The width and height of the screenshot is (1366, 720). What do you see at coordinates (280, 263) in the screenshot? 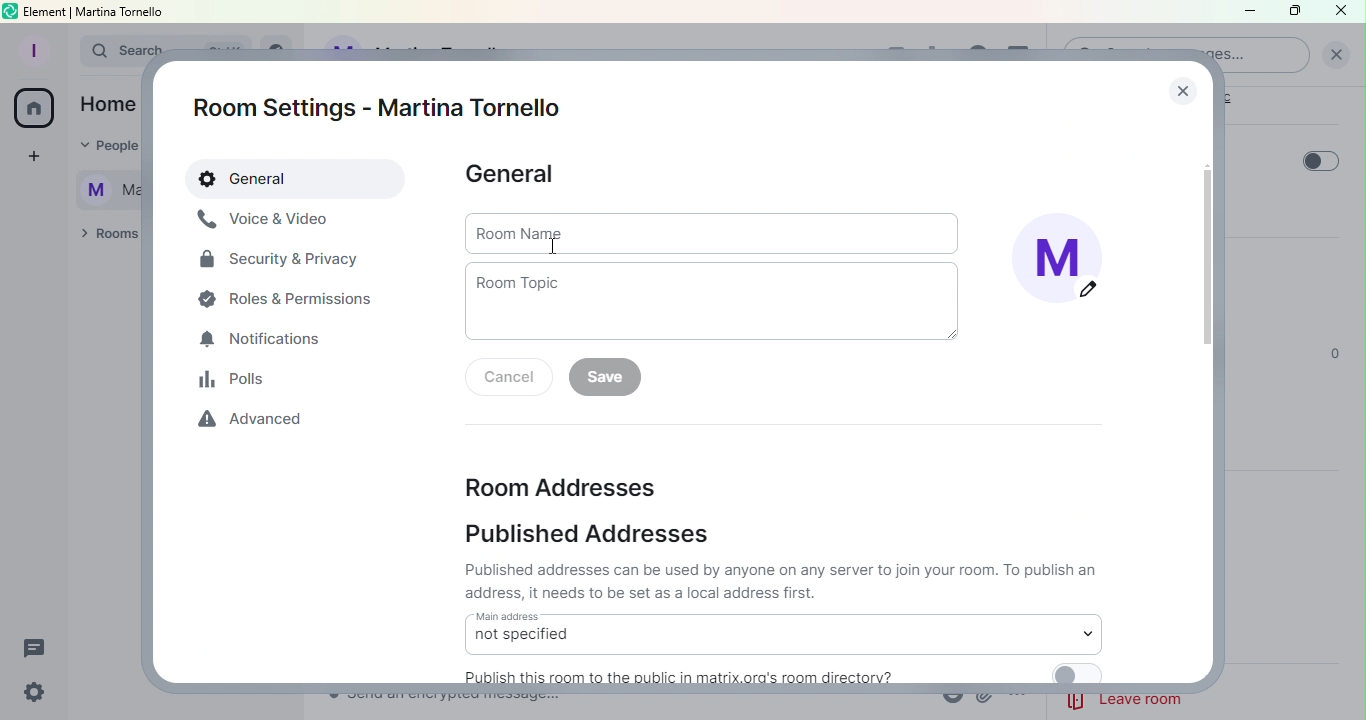
I see `Security and Privacy` at bounding box center [280, 263].